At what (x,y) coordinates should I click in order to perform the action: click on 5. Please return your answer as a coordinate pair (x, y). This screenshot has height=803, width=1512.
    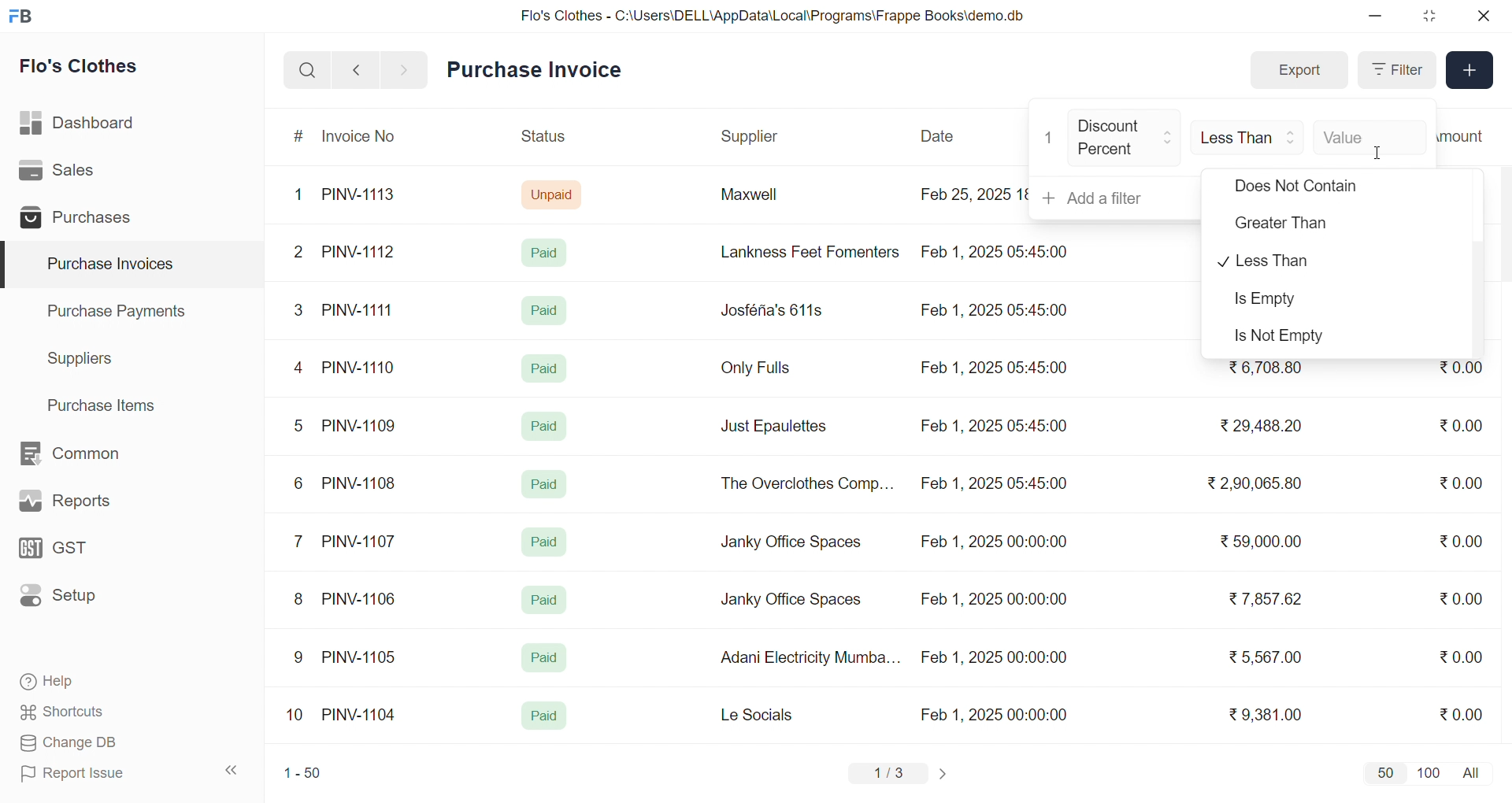
    Looking at the image, I should click on (298, 425).